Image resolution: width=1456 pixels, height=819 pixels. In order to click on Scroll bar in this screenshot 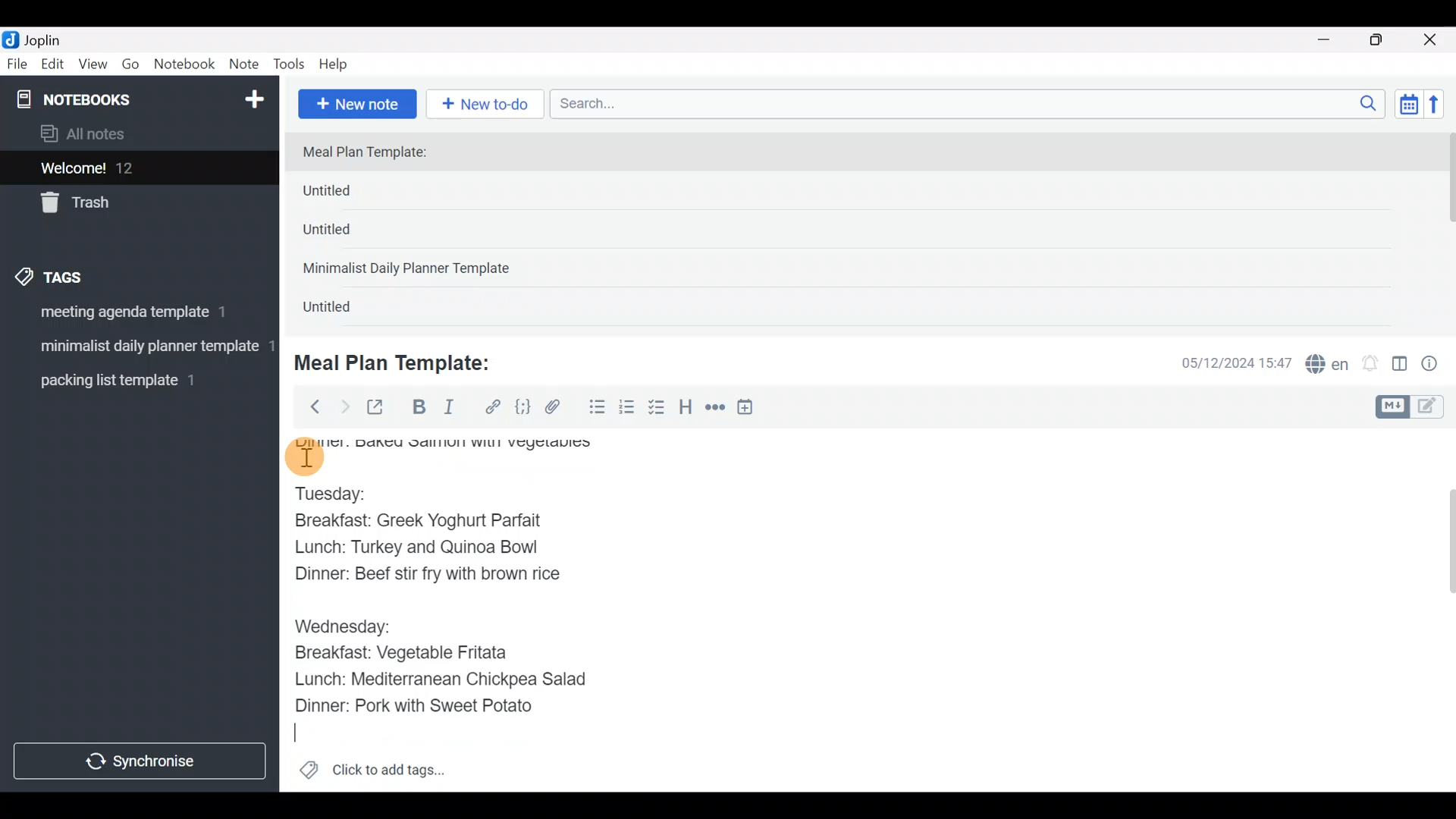, I will do `click(1440, 610)`.